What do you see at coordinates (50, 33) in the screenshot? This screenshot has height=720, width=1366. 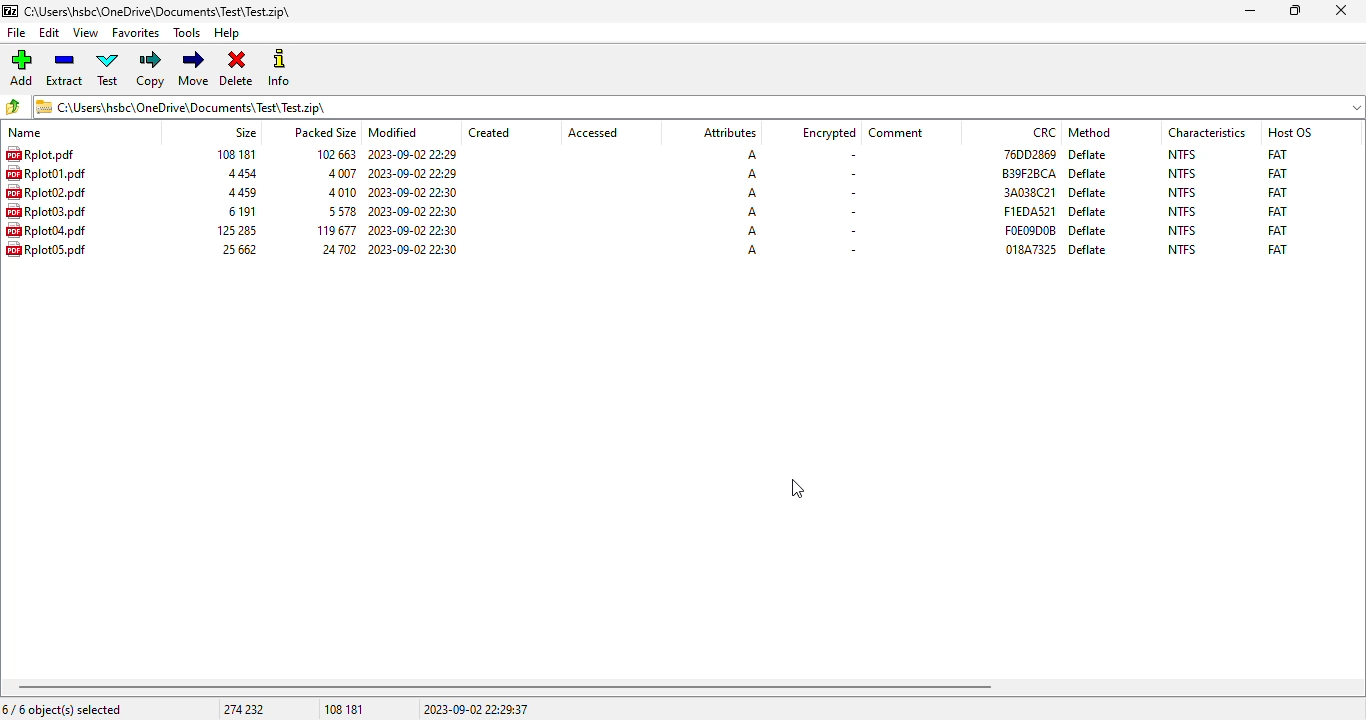 I see `edit` at bounding box center [50, 33].